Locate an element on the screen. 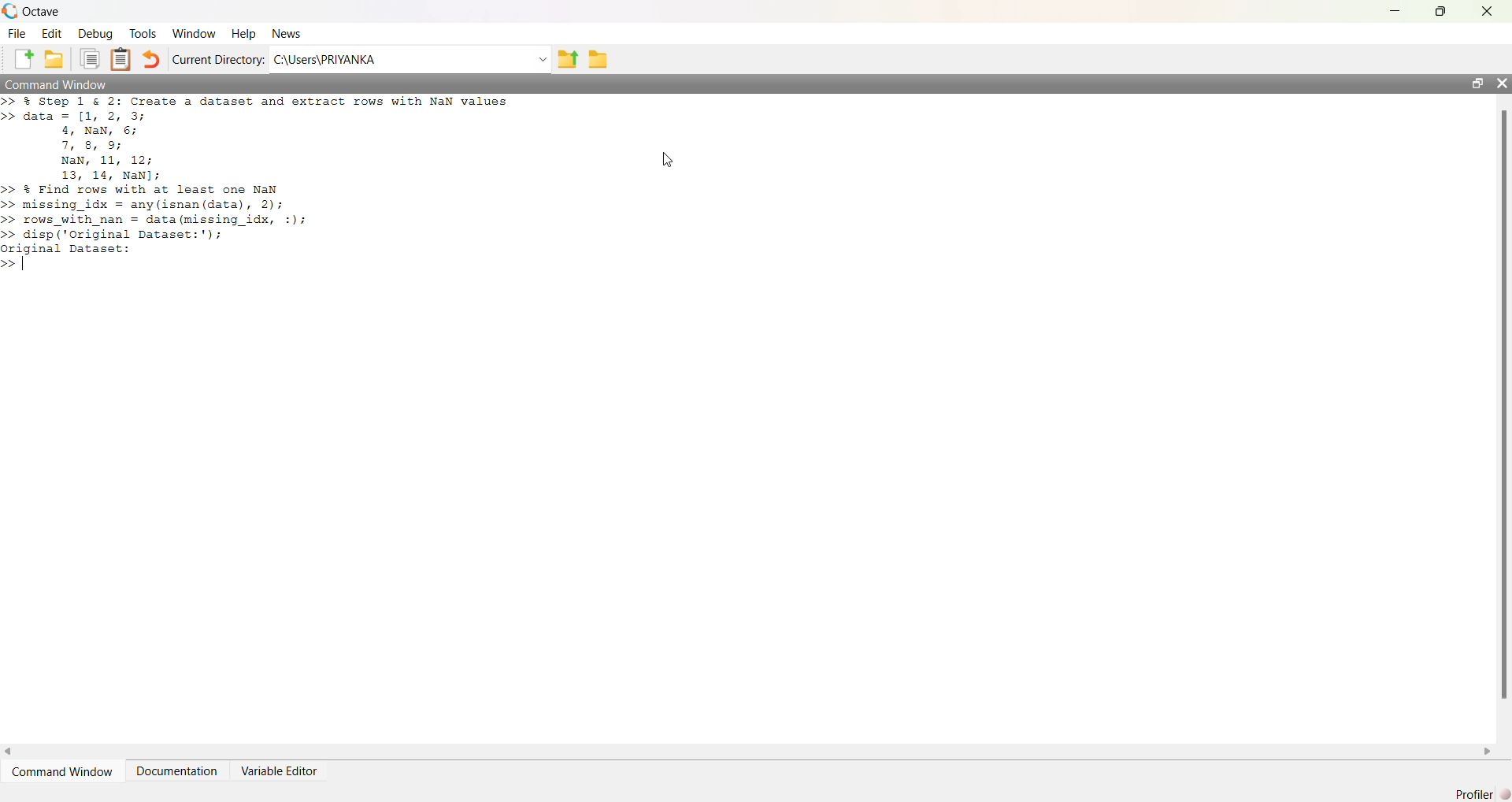 This screenshot has width=1512, height=802. Tools is located at coordinates (143, 33).